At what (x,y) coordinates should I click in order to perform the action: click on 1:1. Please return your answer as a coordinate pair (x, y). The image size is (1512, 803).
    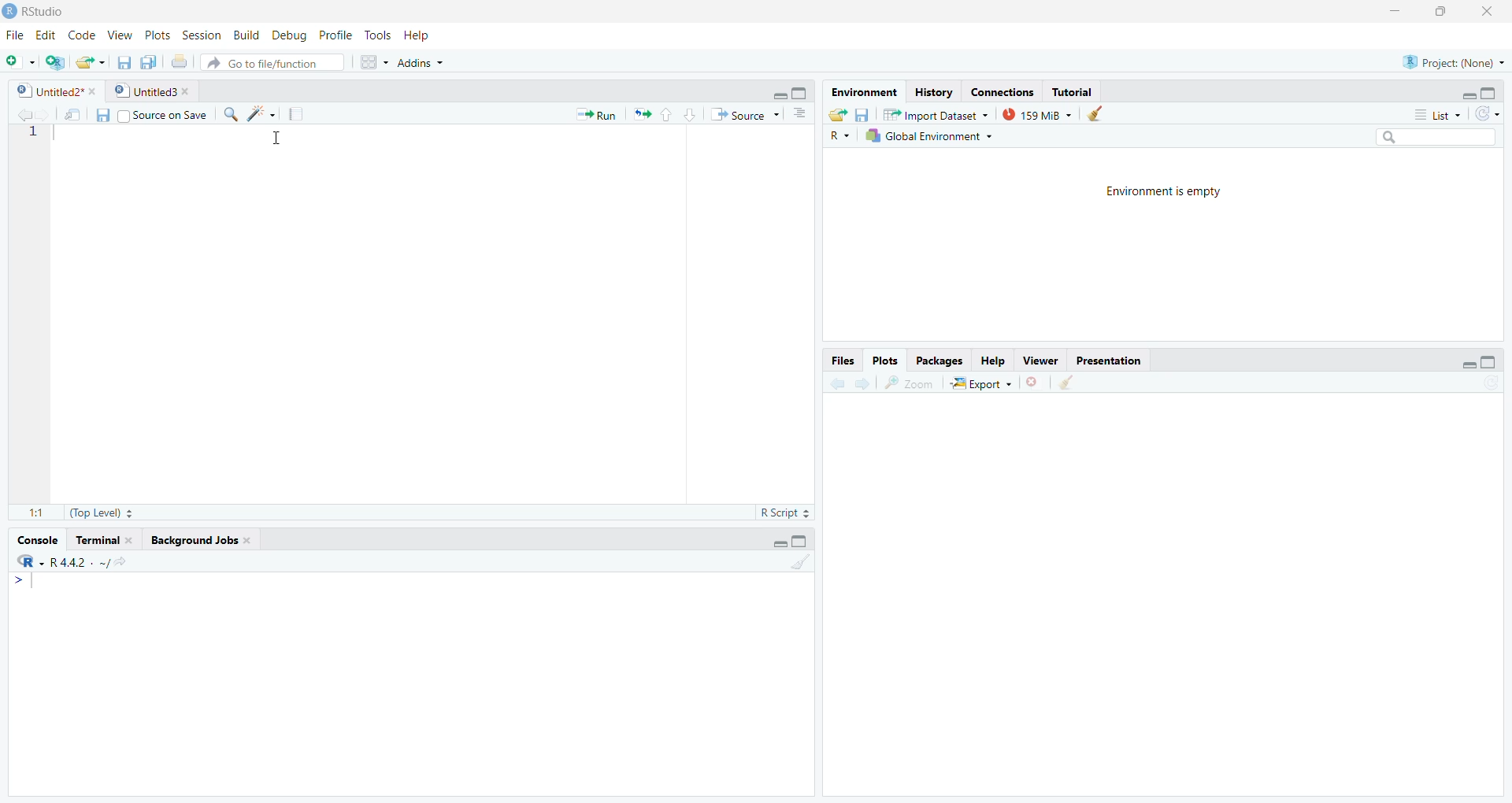
    Looking at the image, I should click on (38, 515).